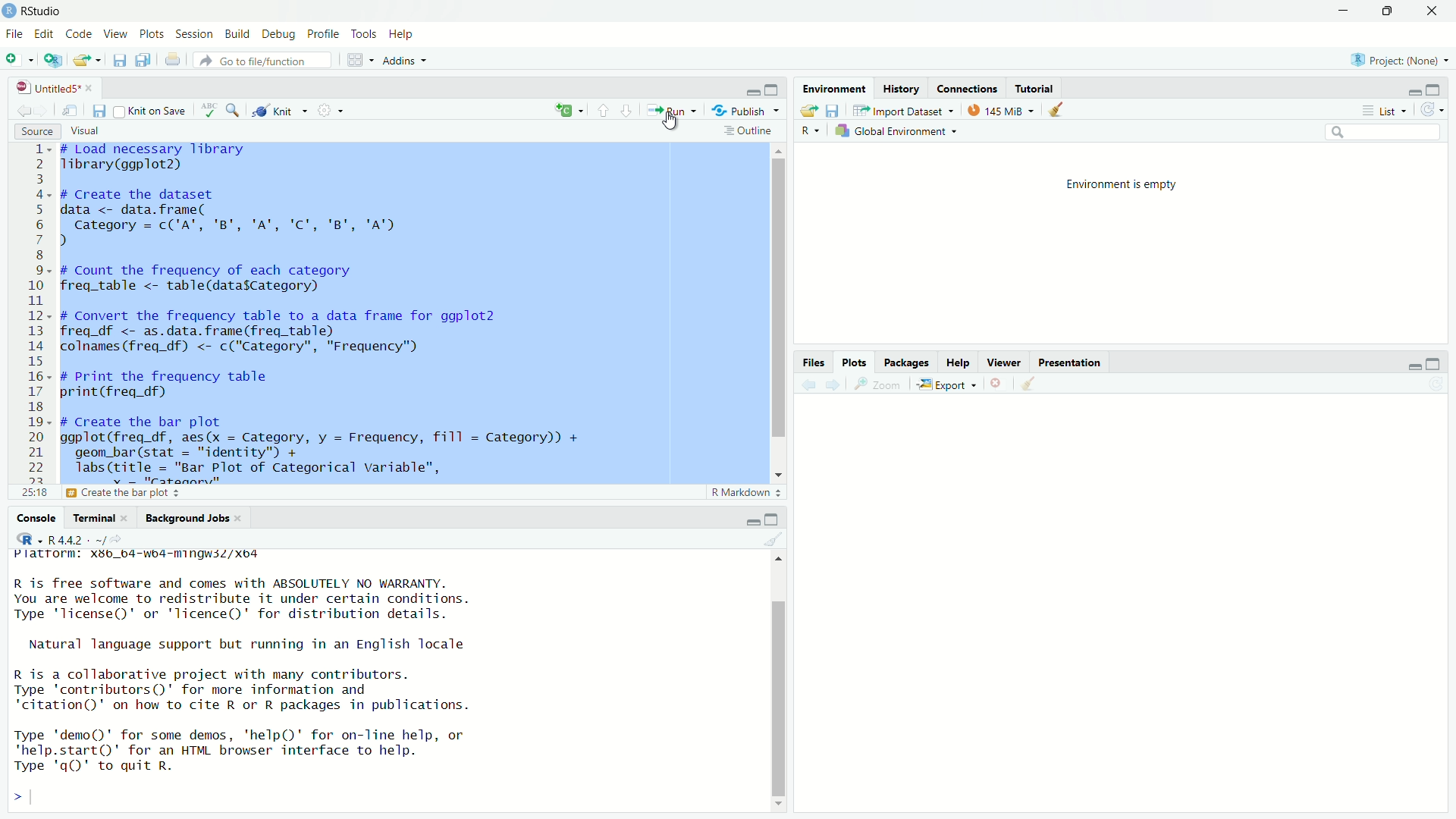  What do you see at coordinates (410, 313) in the screenshot?
I see `code - # Load necessary libraryTibrary(ggplot2)# Create the datasetdata <- data.frame(Category = c('A", 'B', 'A", 'C', 'B', 'A"))# Count the frequency of each categoryfreq_table <- table(datasCategory) I# Convert the frequency table to a data frame for ggplot2freq_df <- as.data.frame(freq_table)colnames (freq_df) <- c("Category", "Frequency")# Print the frequency tableprint(freq_df)# Create the bar plotggplot(freq_df, aes(x = Category, y = Frequency, fill = Category)) +geom_bar(stat = "identity") +labs(title = "Bar Plot of Categorical variable",` at bounding box center [410, 313].